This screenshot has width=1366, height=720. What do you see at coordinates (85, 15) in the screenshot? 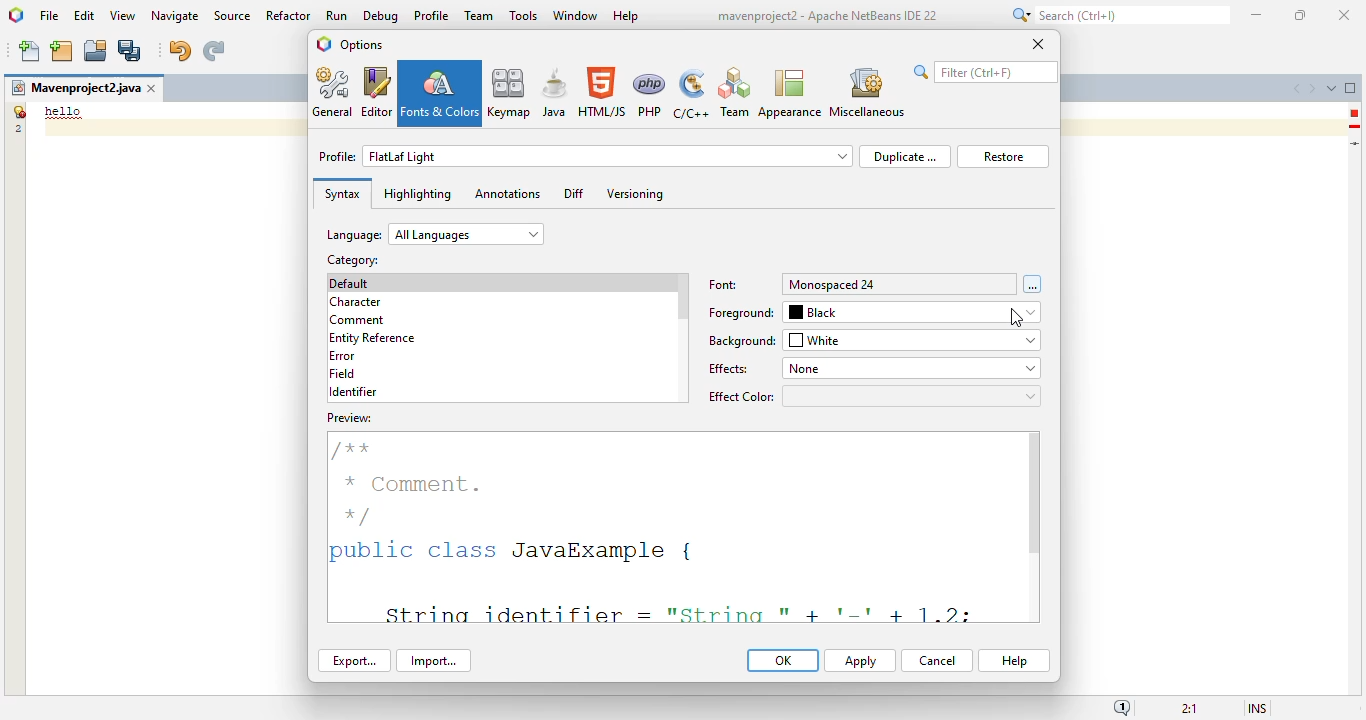
I see `edit` at bounding box center [85, 15].